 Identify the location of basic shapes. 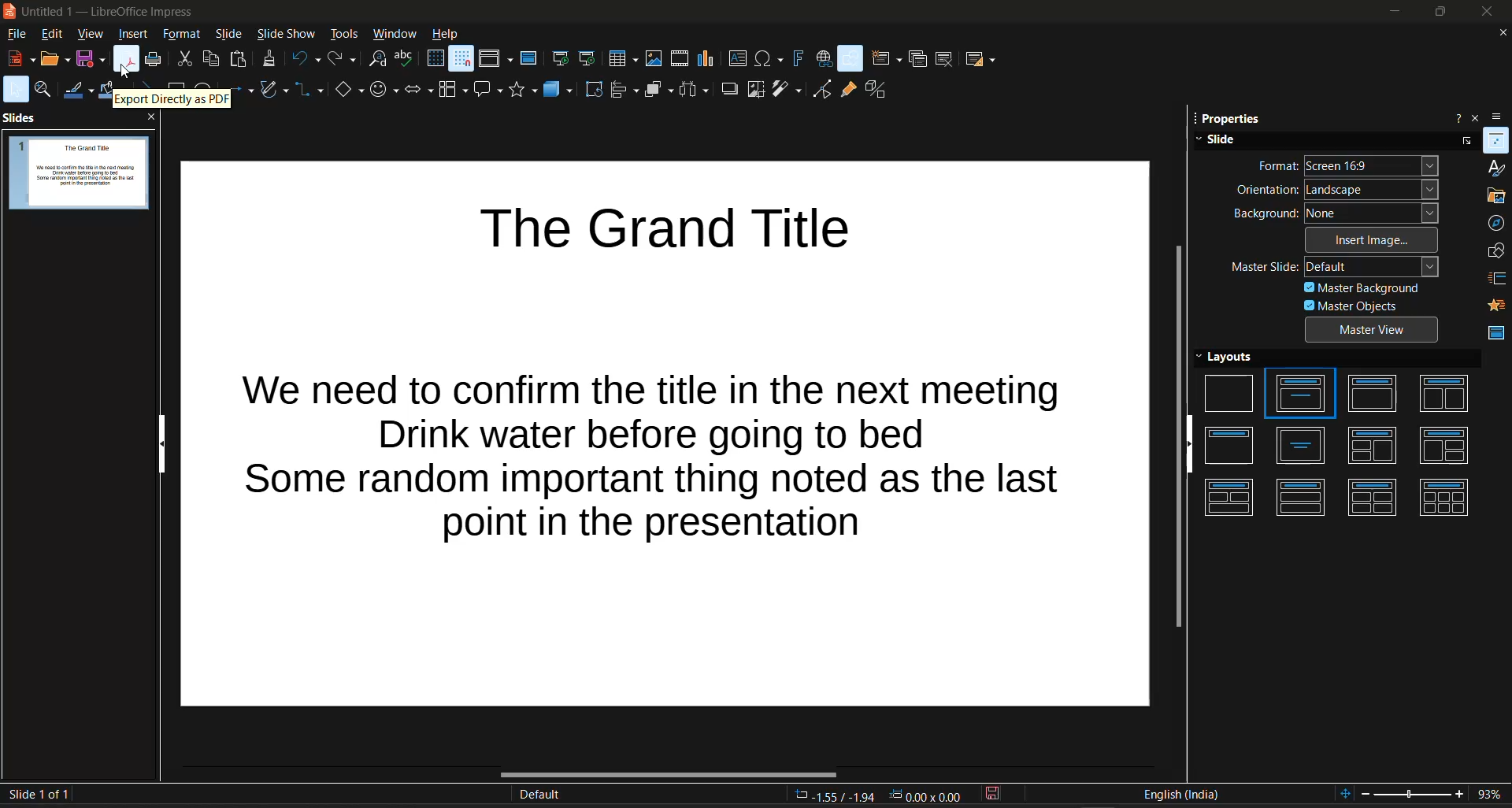
(349, 91).